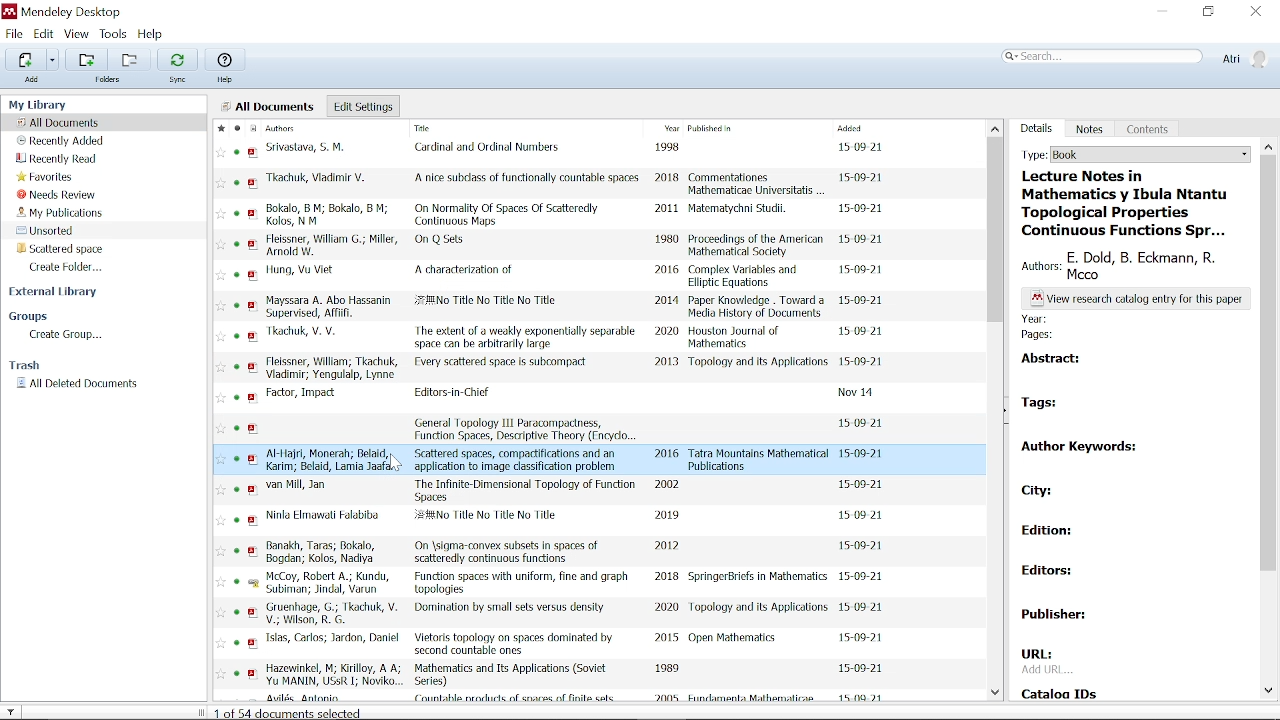 The width and height of the screenshot is (1280, 720). Describe the element at coordinates (758, 578) in the screenshot. I see `SpringerBricfs in Mathematics` at that location.